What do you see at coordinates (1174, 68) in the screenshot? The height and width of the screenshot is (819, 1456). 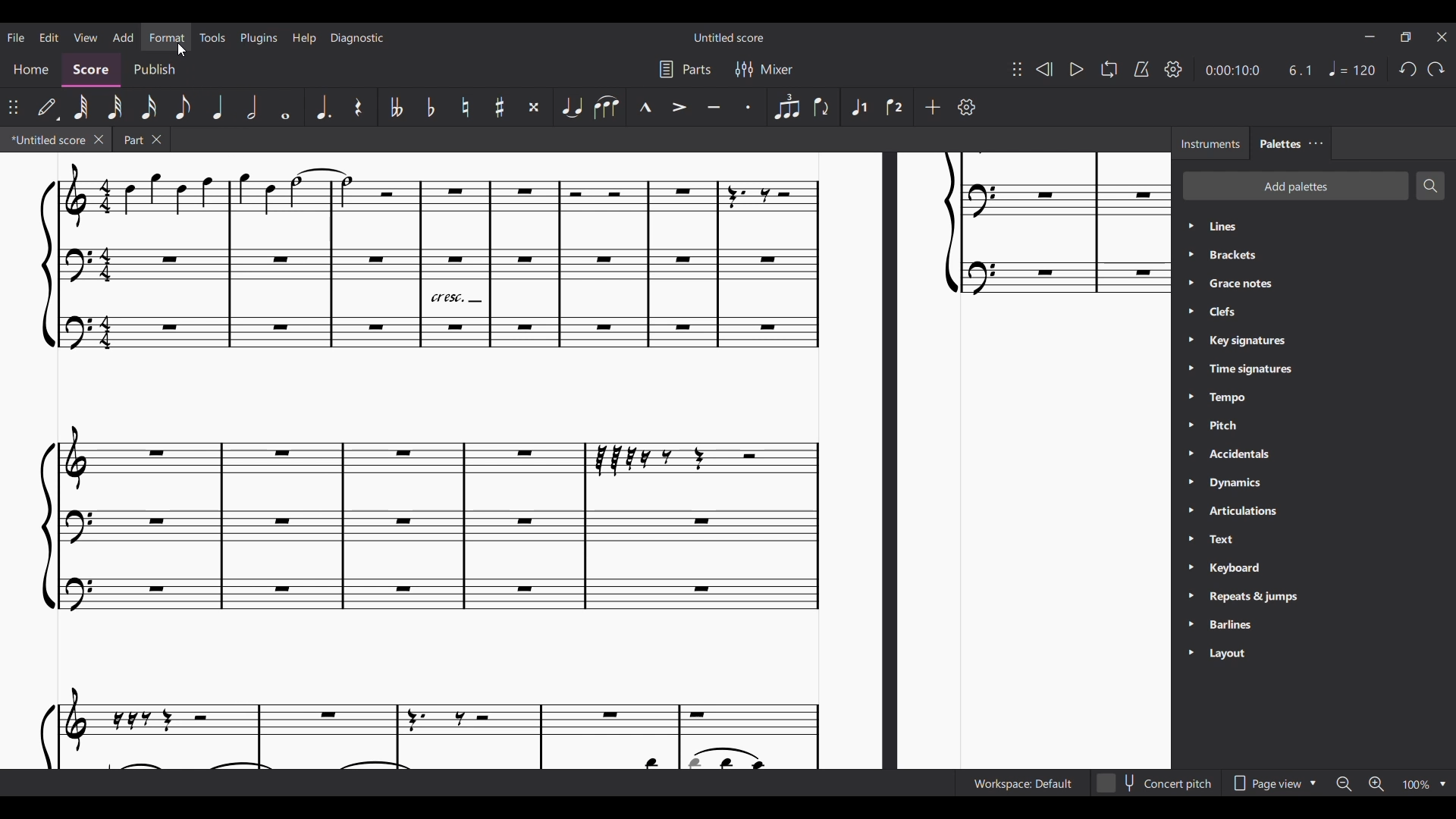 I see `Playback settings` at bounding box center [1174, 68].